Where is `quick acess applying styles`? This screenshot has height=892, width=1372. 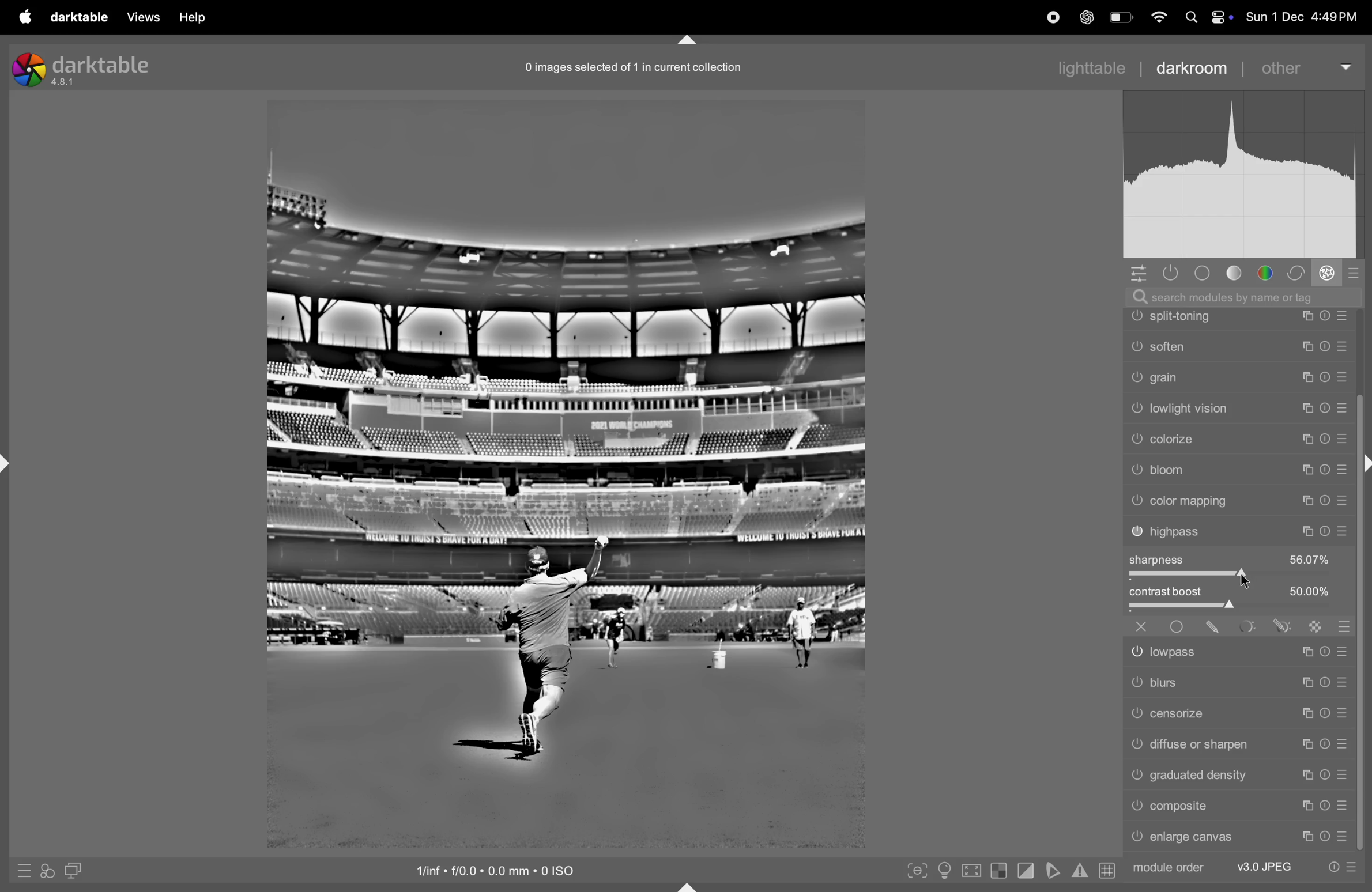 quick acess applying styles is located at coordinates (45, 873).